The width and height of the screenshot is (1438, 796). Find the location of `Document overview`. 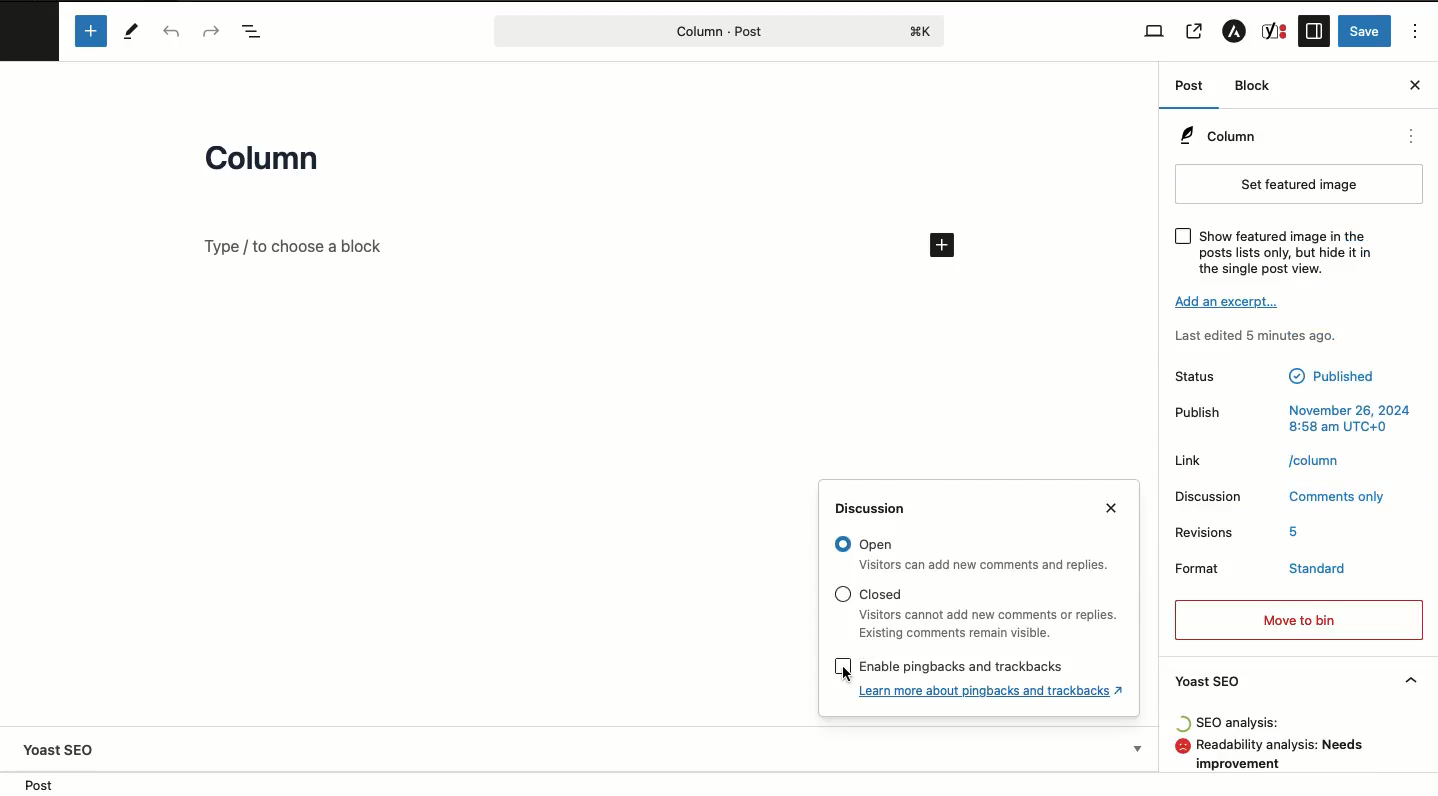

Document overview is located at coordinates (257, 33).